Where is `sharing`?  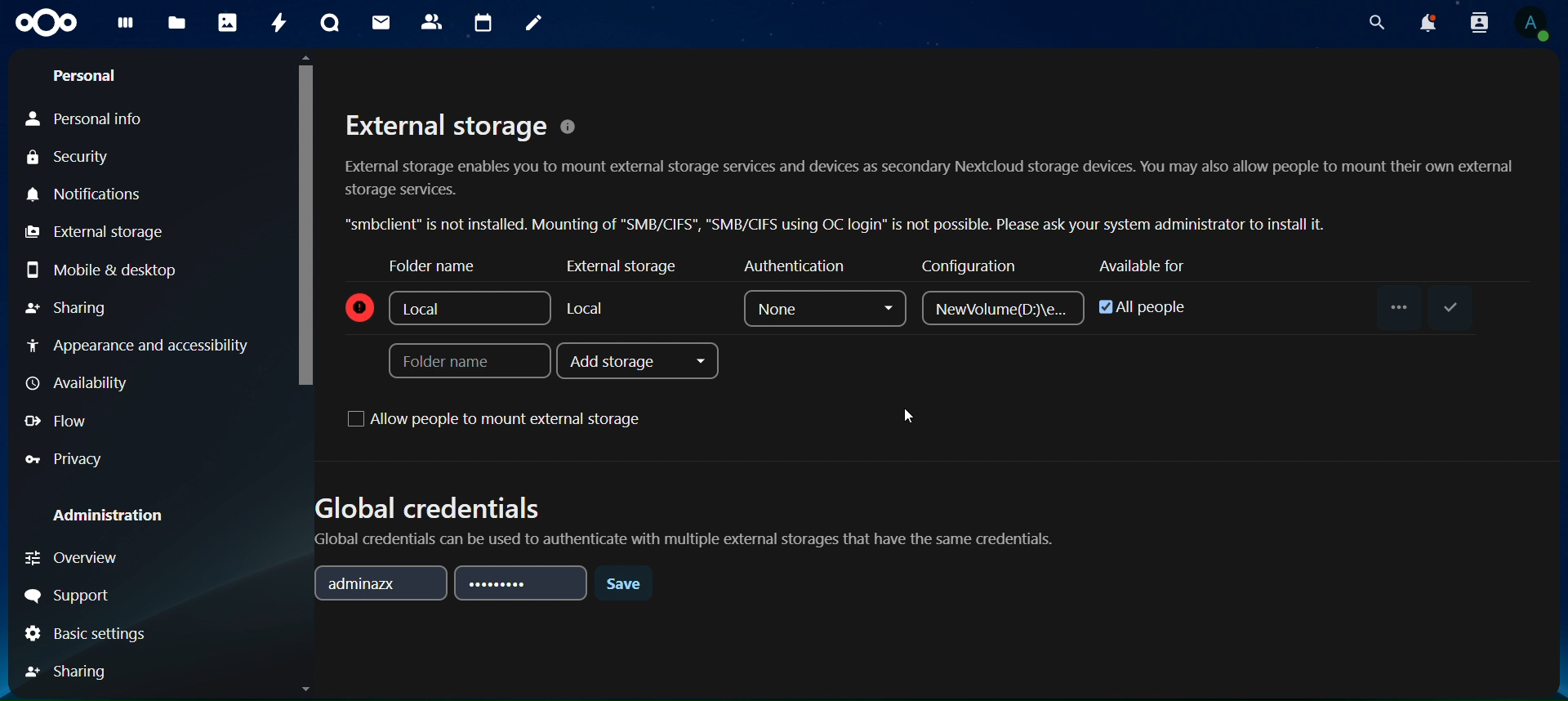
sharing is located at coordinates (69, 308).